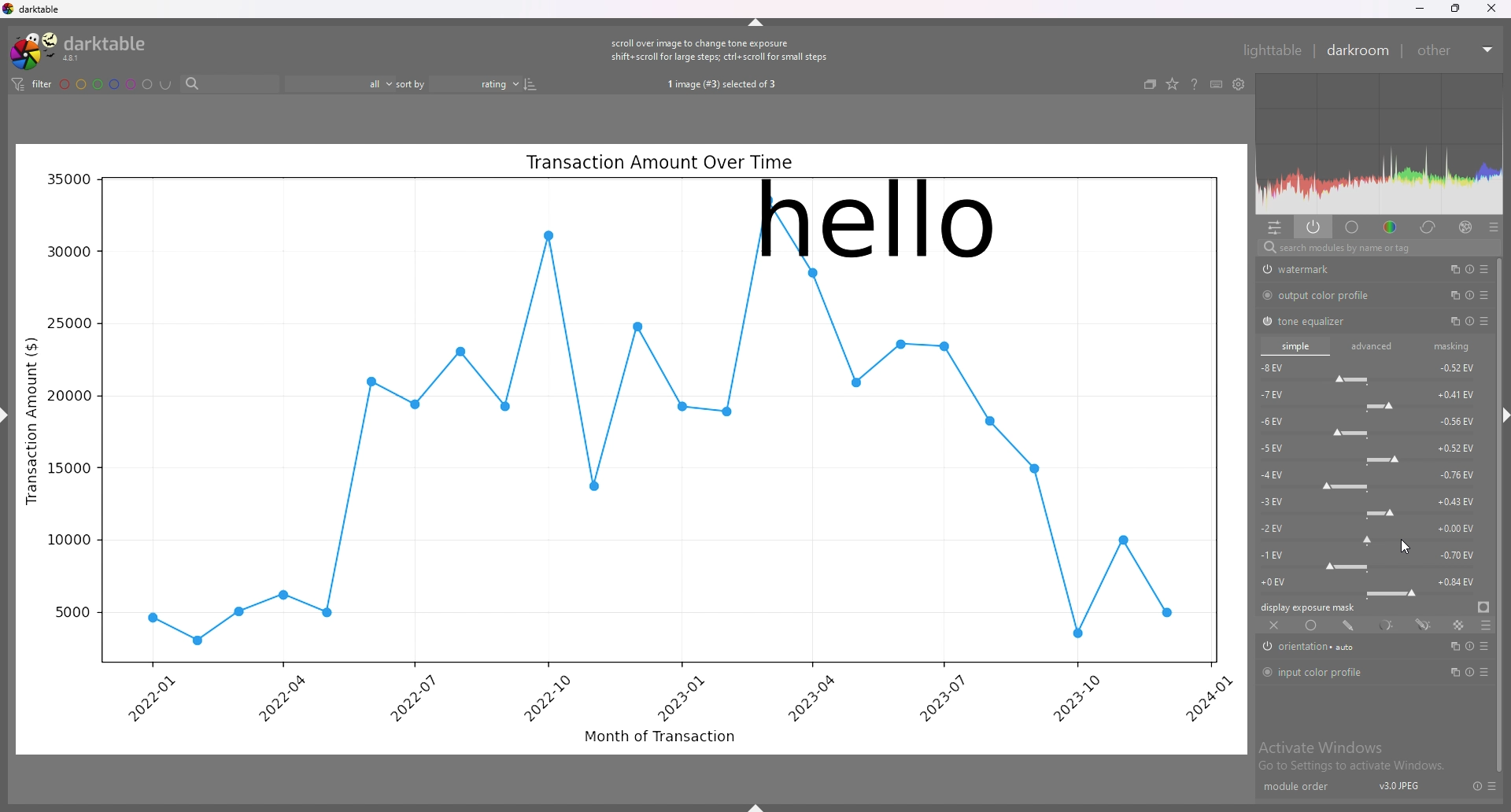  What do you see at coordinates (1353, 767) in the screenshot?
I see `Go to Settings to activate Windows.` at bounding box center [1353, 767].